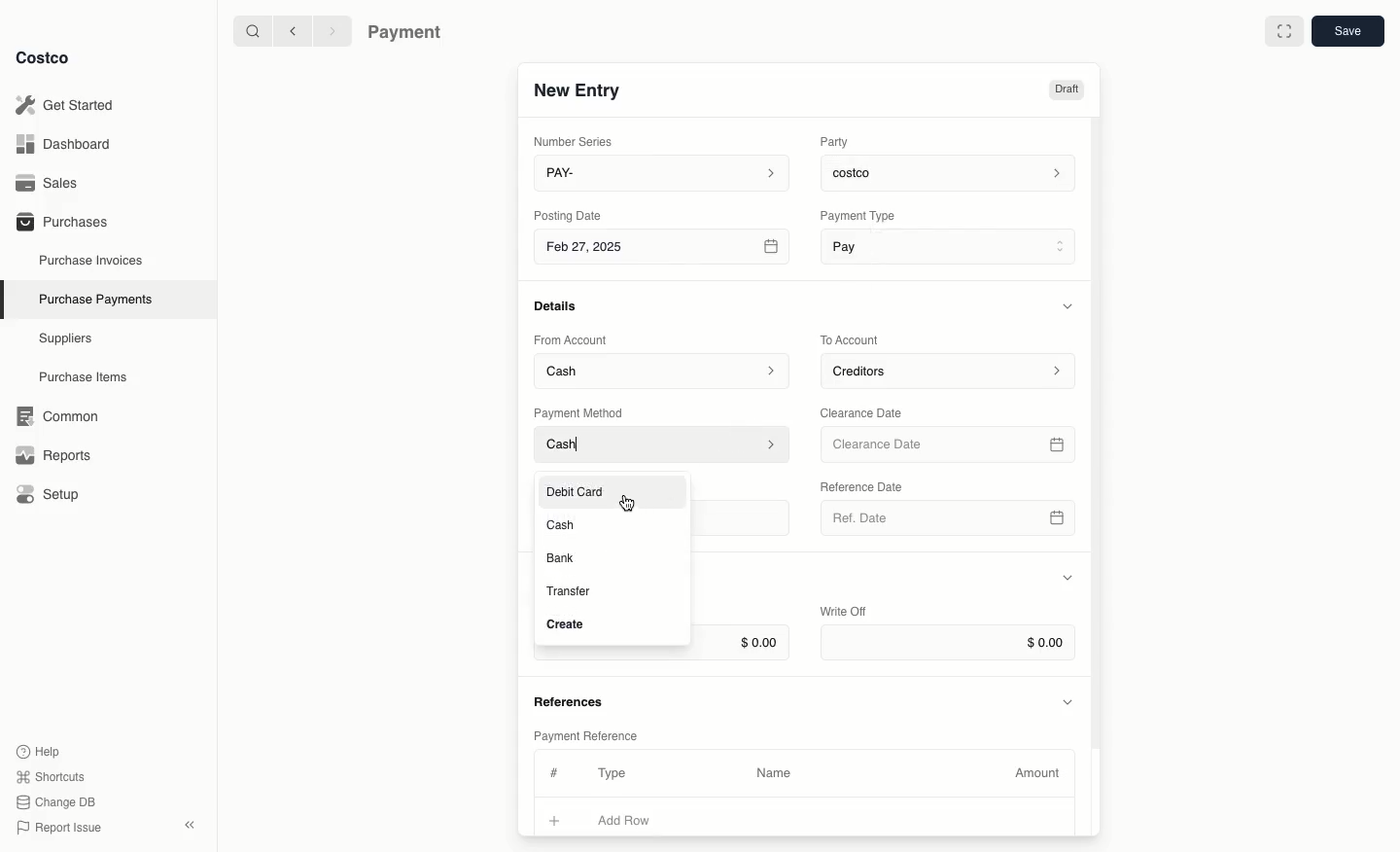 Image resolution: width=1400 pixels, height=852 pixels. I want to click on To Account, so click(852, 339).